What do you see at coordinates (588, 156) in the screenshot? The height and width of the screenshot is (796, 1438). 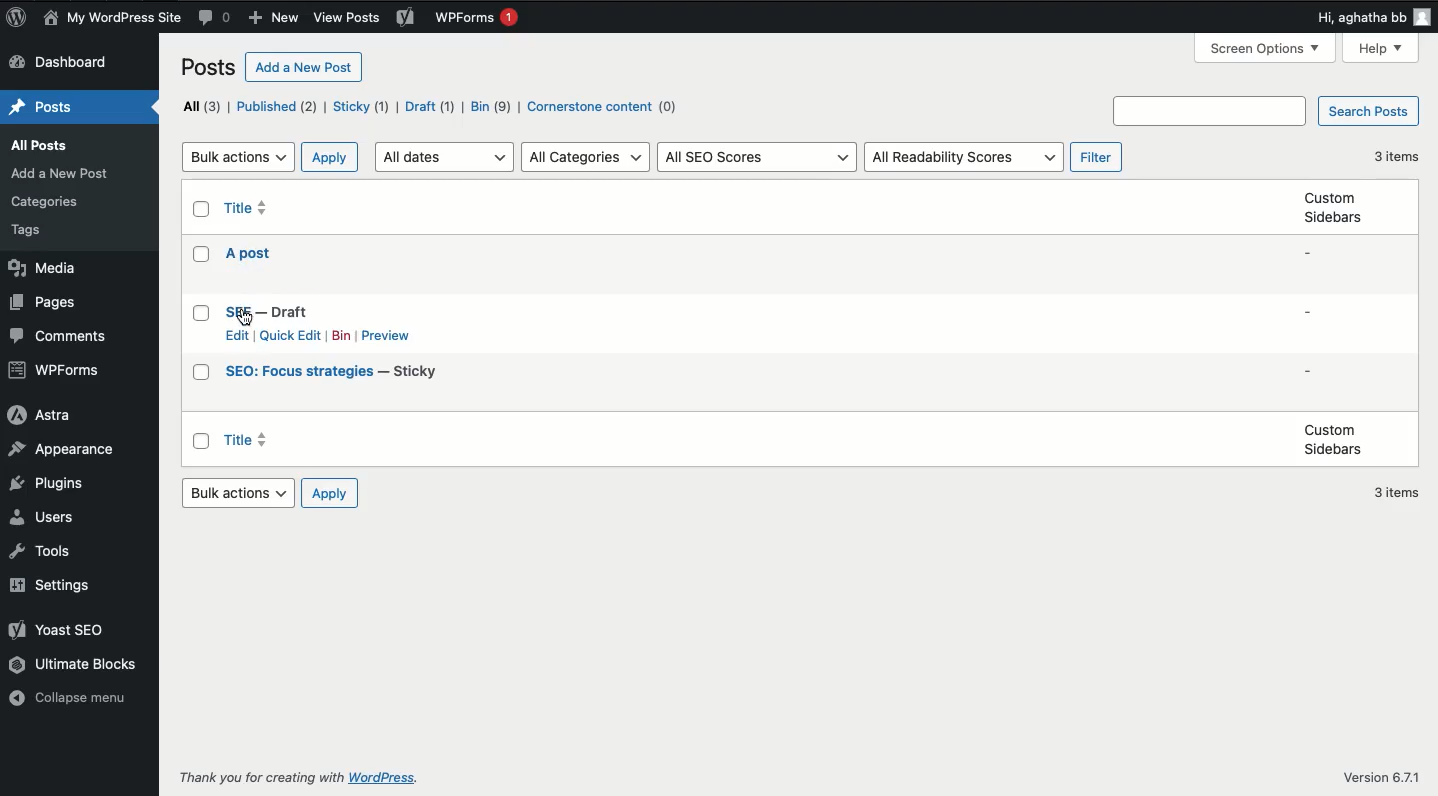 I see `All categories ` at bounding box center [588, 156].